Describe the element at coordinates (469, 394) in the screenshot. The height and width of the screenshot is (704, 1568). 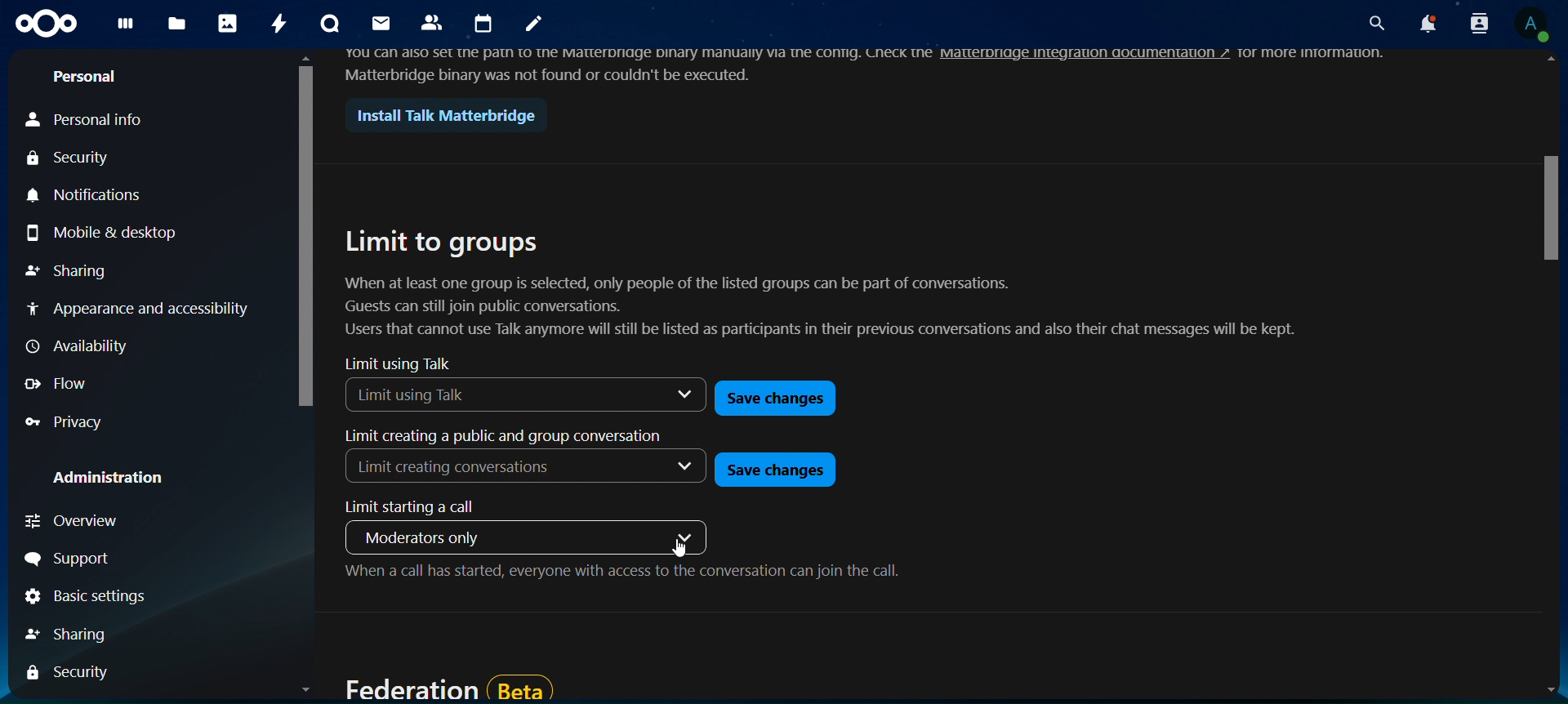
I see `Limit using Talk selected` at that location.